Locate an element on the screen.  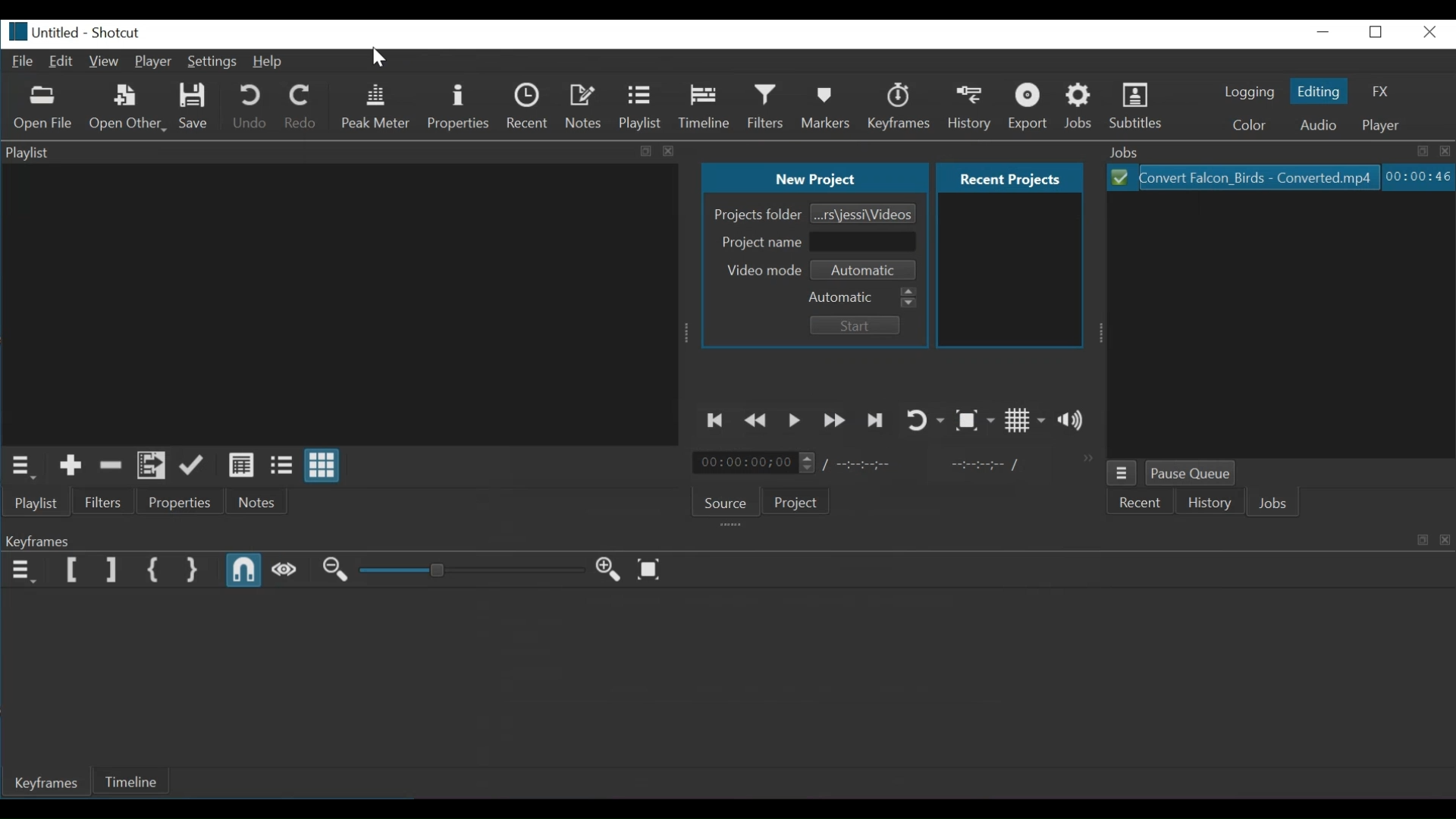
Add files to playlist is located at coordinates (152, 466).